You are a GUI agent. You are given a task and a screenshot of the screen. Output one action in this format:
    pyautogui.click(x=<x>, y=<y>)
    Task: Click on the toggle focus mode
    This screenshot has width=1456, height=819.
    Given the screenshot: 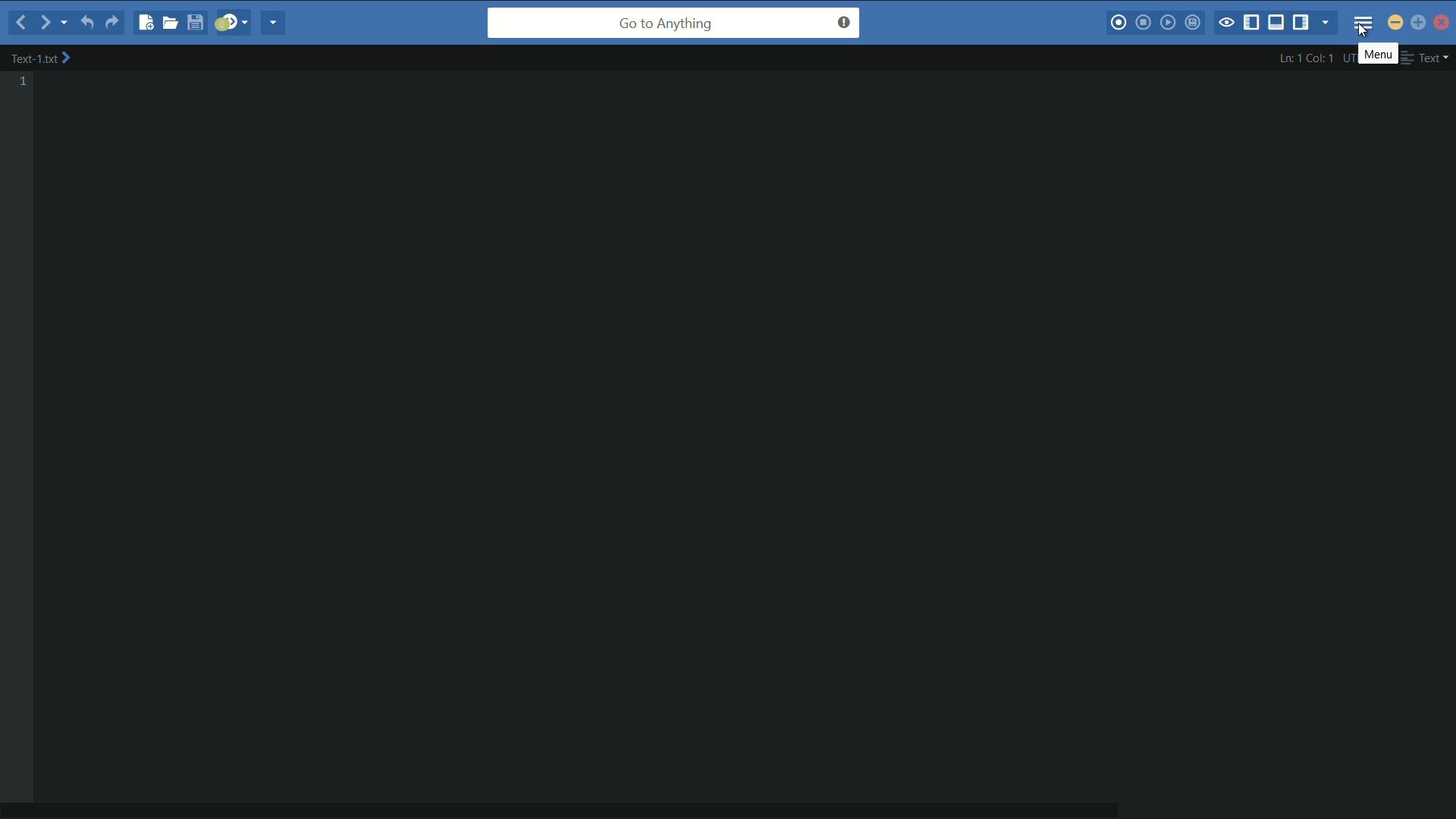 What is the action you would take?
    pyautogui.click(x=1227, y=22)
    